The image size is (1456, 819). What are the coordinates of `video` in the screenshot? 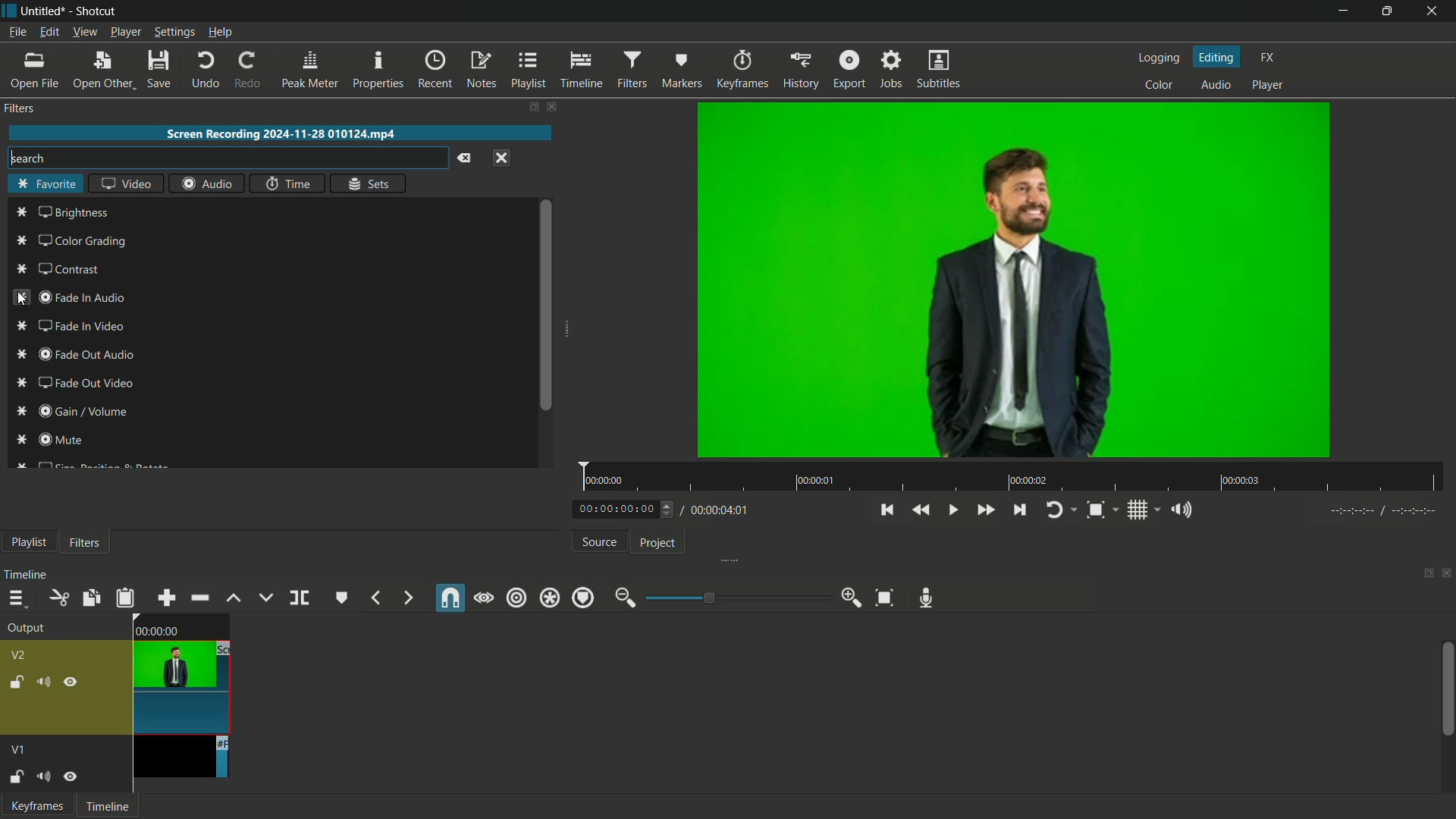 It's located at (126, 182).